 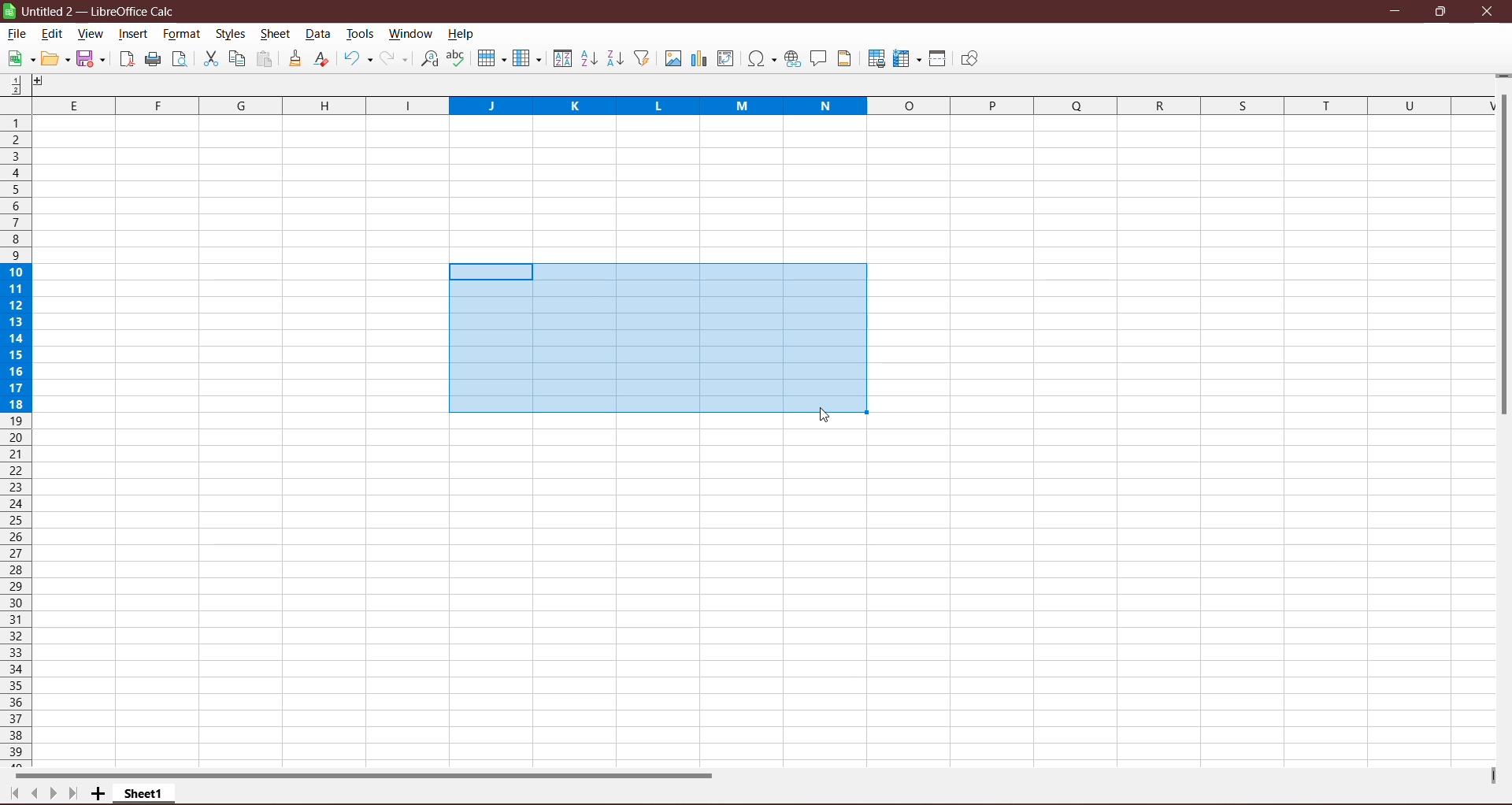 What do you see at coordinates (588, 58) in the screenshot?
I see `Sort  Ascending` at bounding box center [588, 58].